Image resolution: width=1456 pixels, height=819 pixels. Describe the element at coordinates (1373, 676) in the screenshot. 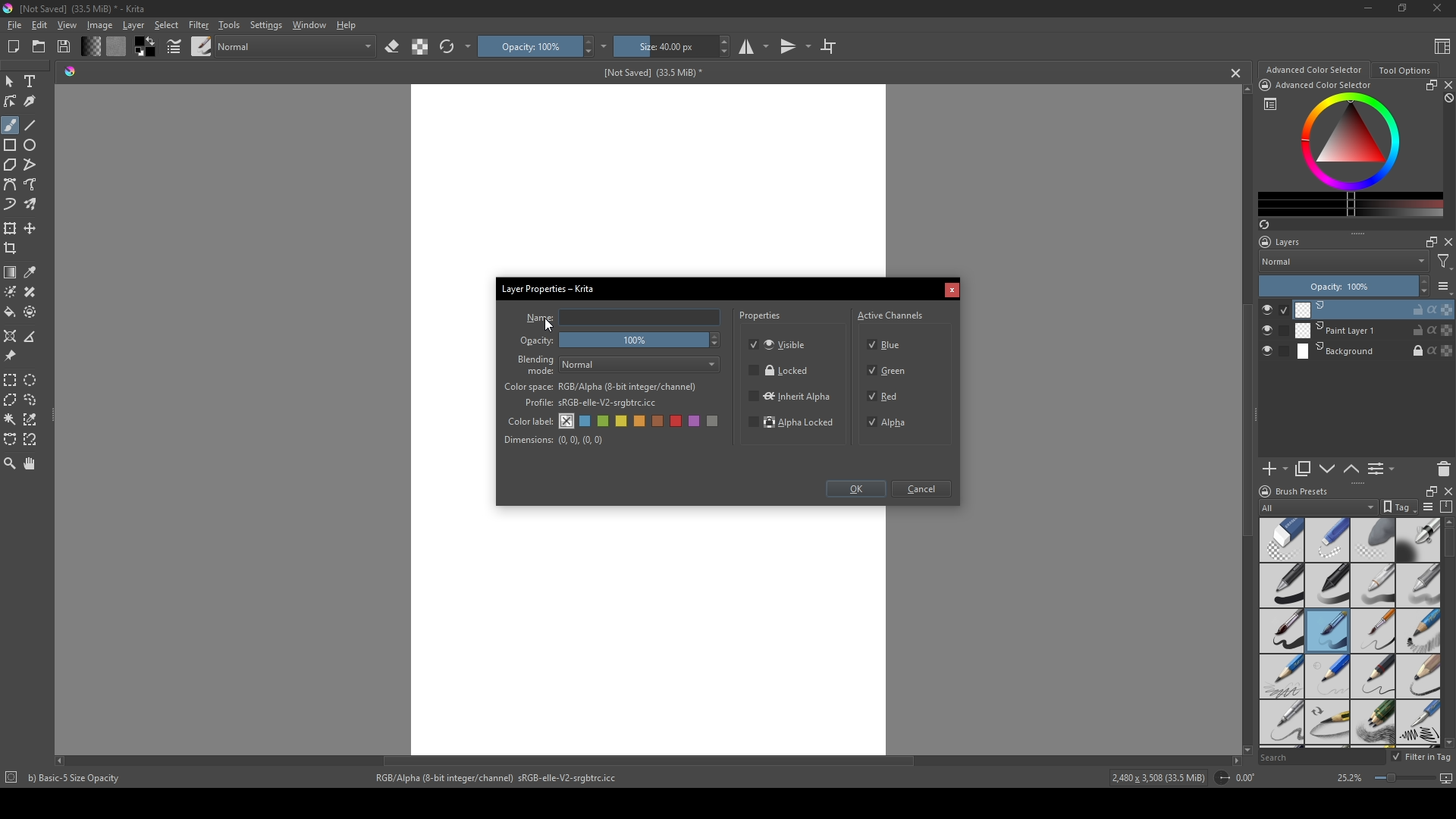

I see `pencil` at that location.